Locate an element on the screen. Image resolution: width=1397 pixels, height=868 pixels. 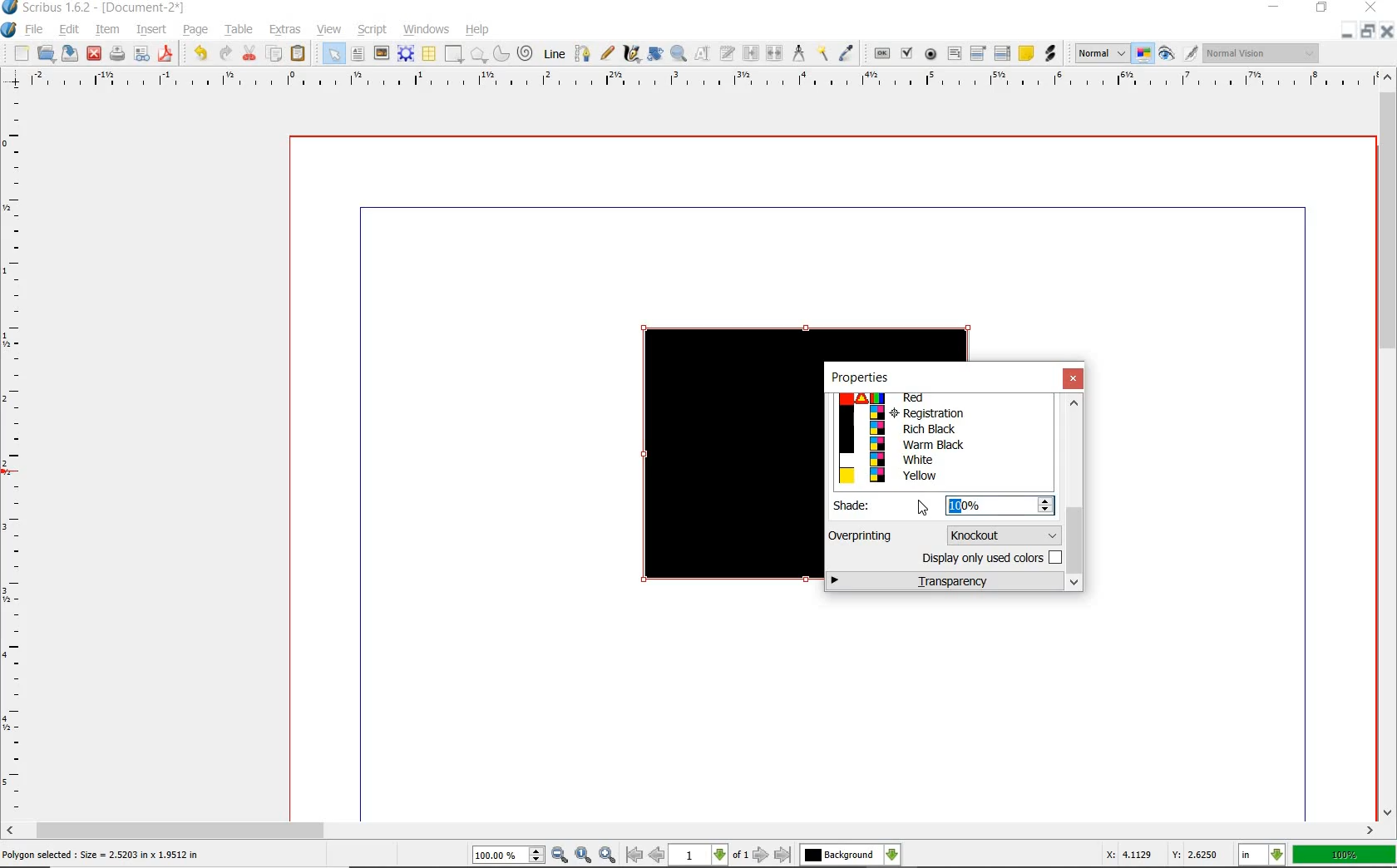
go to next page is located at coordinates (761, 856).